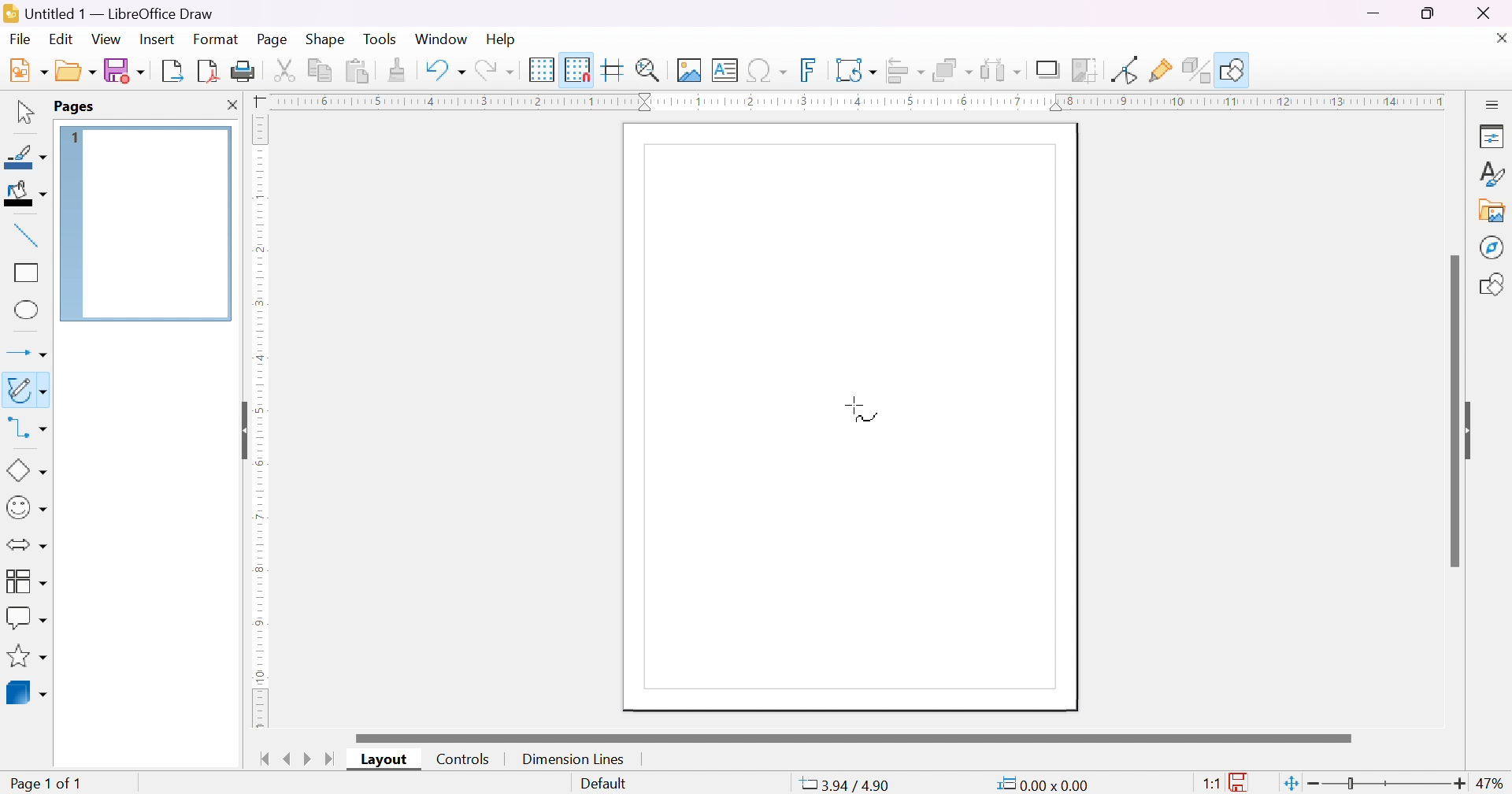 This screenshot has width=1512, height=794. What do you see at coordinates (1390, 785) in the screenshot?
I see `slider` at bounding box center [1390, 785].